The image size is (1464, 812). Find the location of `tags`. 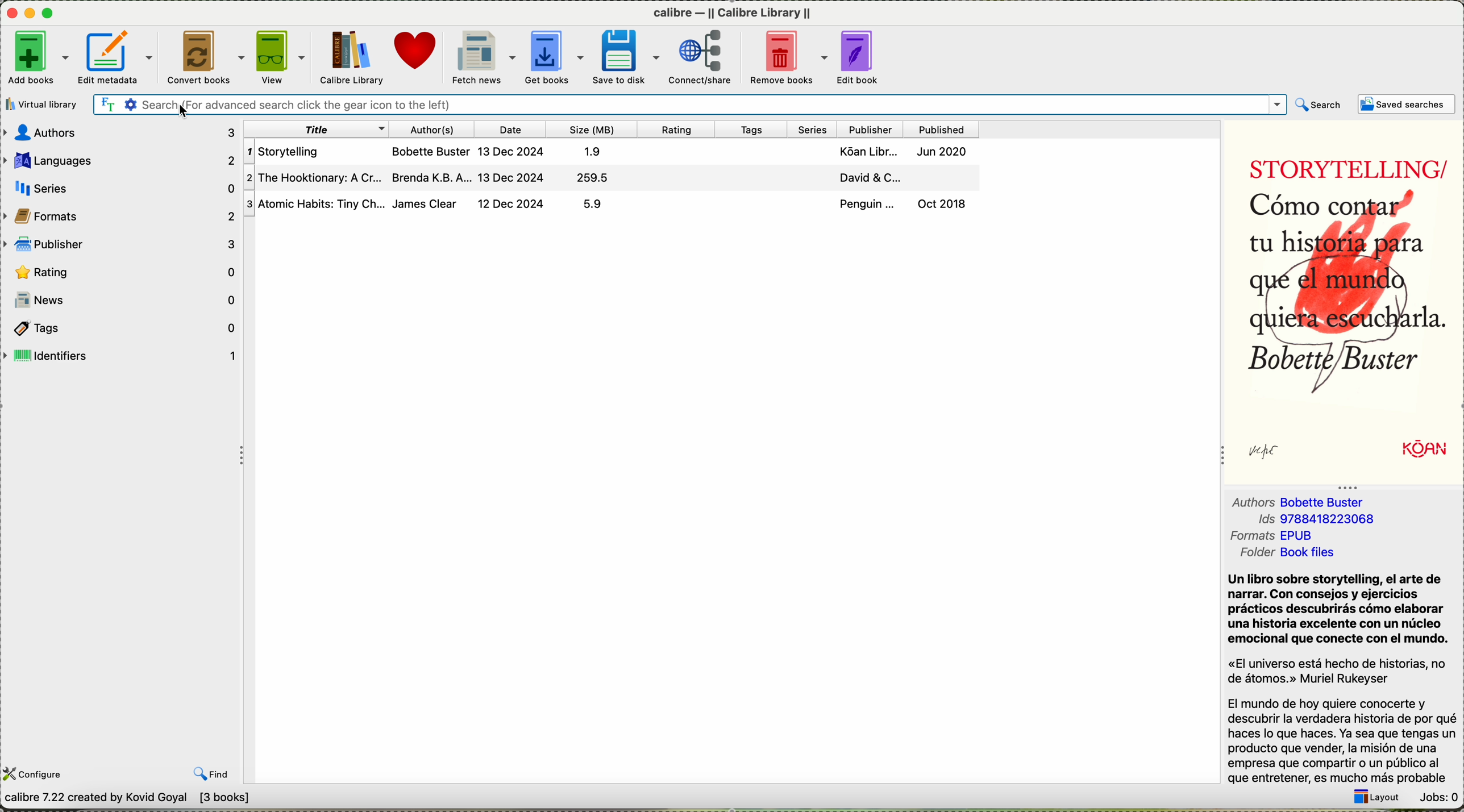

tags is located at coordinates (125, 327).